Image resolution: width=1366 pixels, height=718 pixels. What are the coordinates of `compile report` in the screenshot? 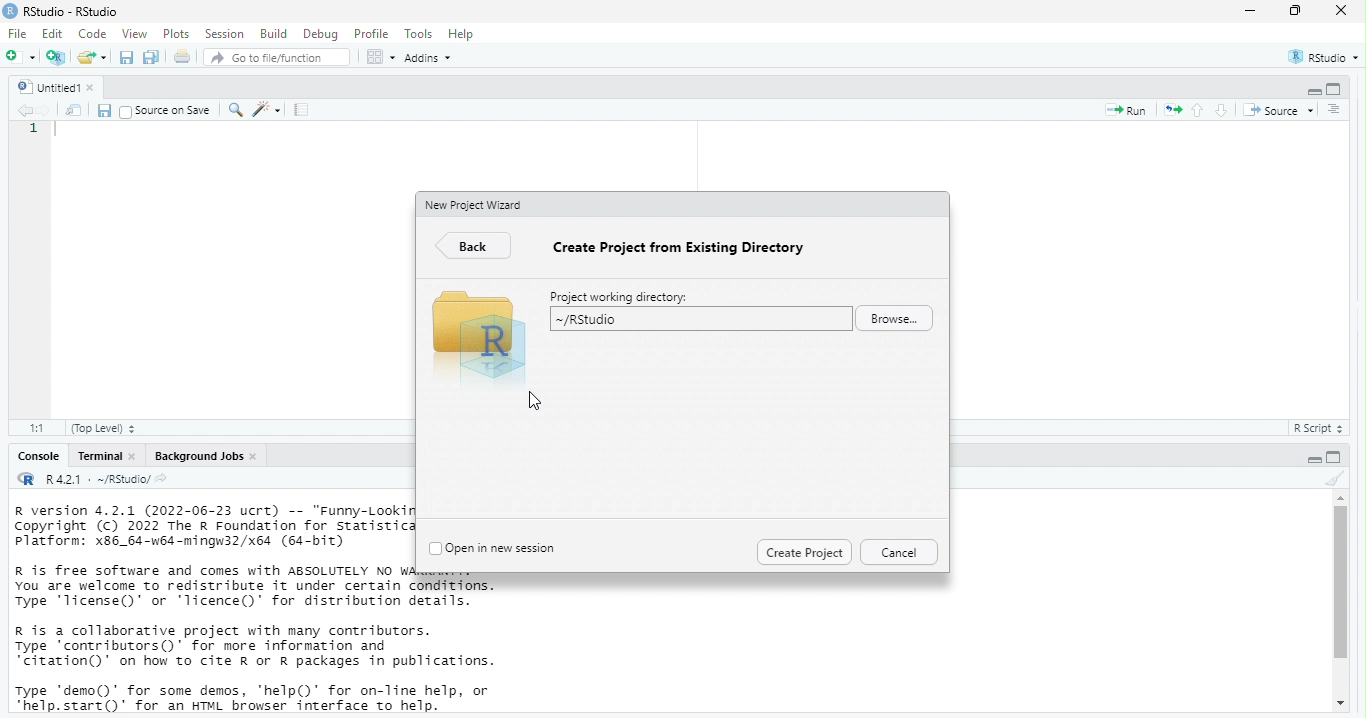 It's located at (303, 110).